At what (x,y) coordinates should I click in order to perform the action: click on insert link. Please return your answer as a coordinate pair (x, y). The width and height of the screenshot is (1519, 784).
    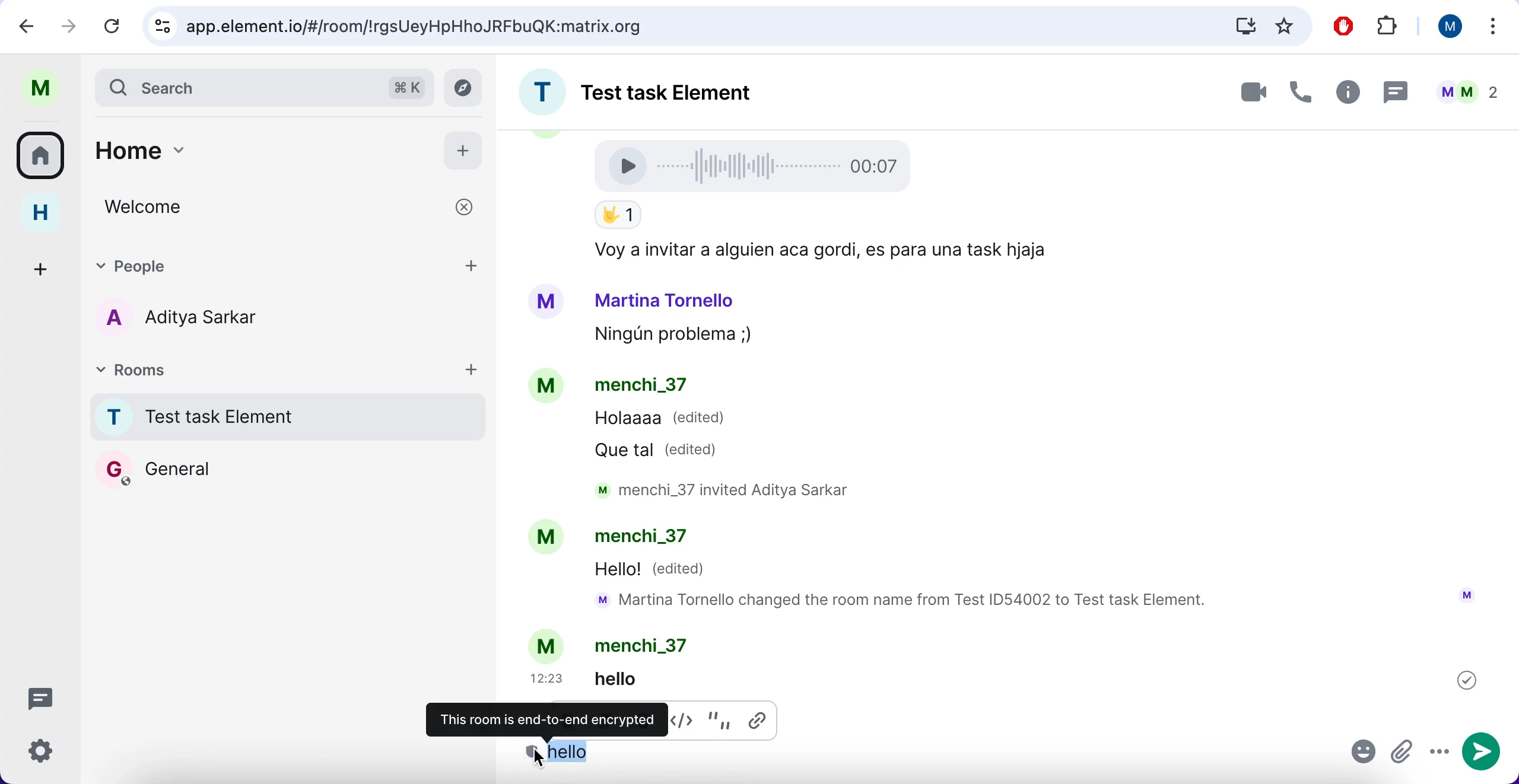
    Looking at the image, I should click on (761, 719).